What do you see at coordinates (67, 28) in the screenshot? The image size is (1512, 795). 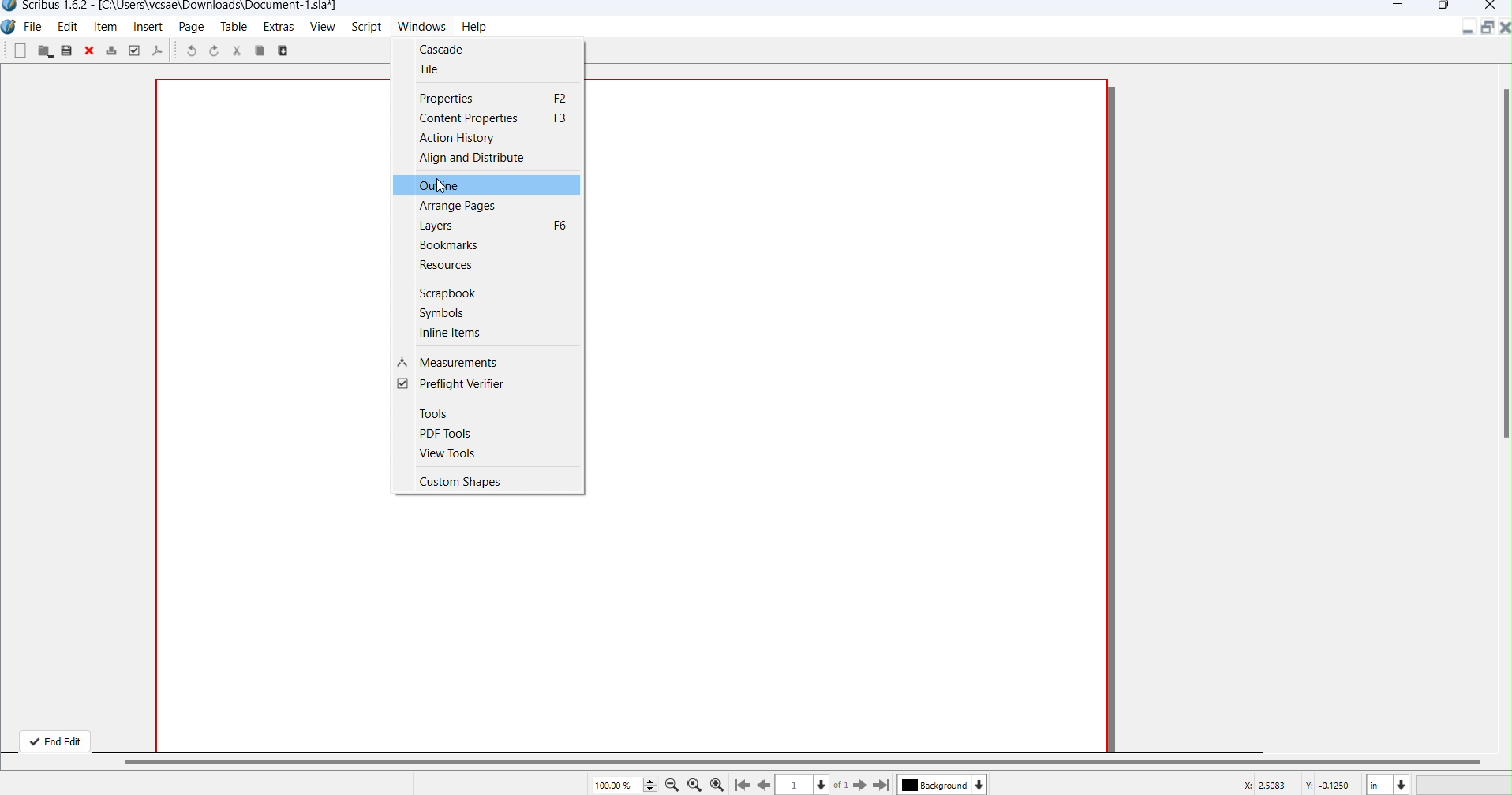 I see `Edit` at bounding box center [67, 28].